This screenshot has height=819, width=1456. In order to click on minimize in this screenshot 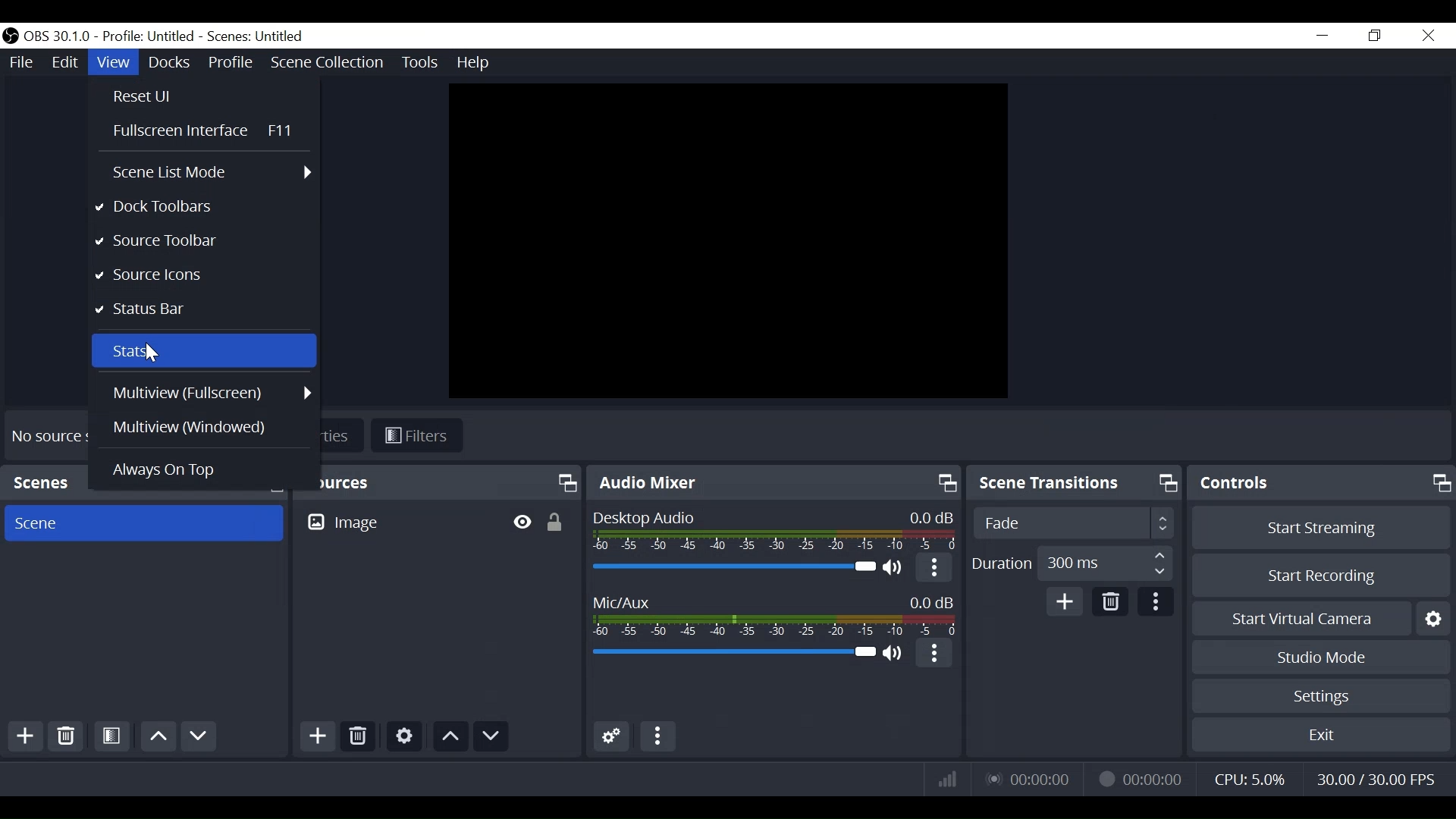, I will do `click(1323, 36)`.